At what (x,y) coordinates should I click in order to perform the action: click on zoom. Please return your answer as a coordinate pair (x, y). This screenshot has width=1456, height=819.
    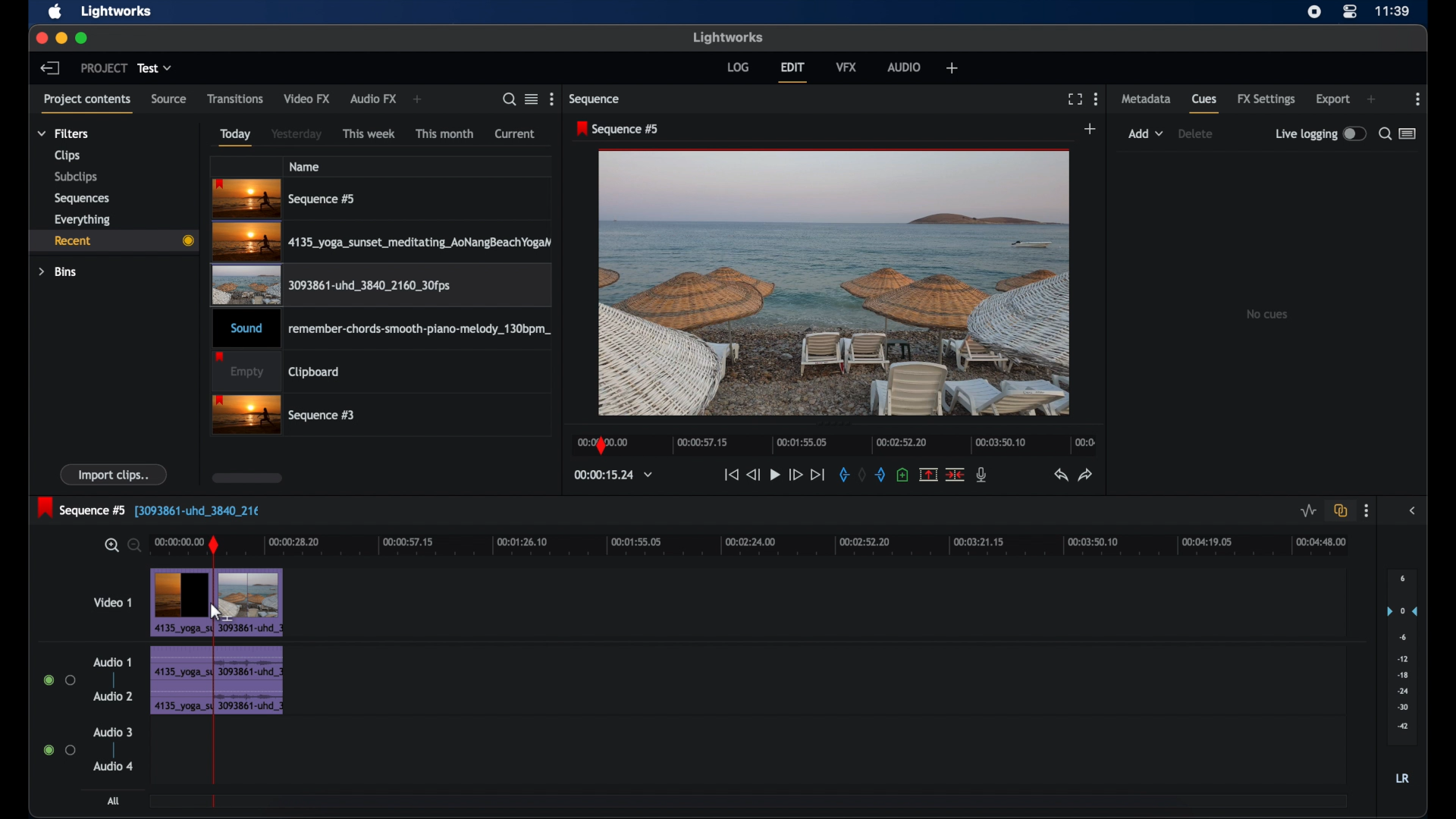
    Looking at the image, I should click on (120, 546).